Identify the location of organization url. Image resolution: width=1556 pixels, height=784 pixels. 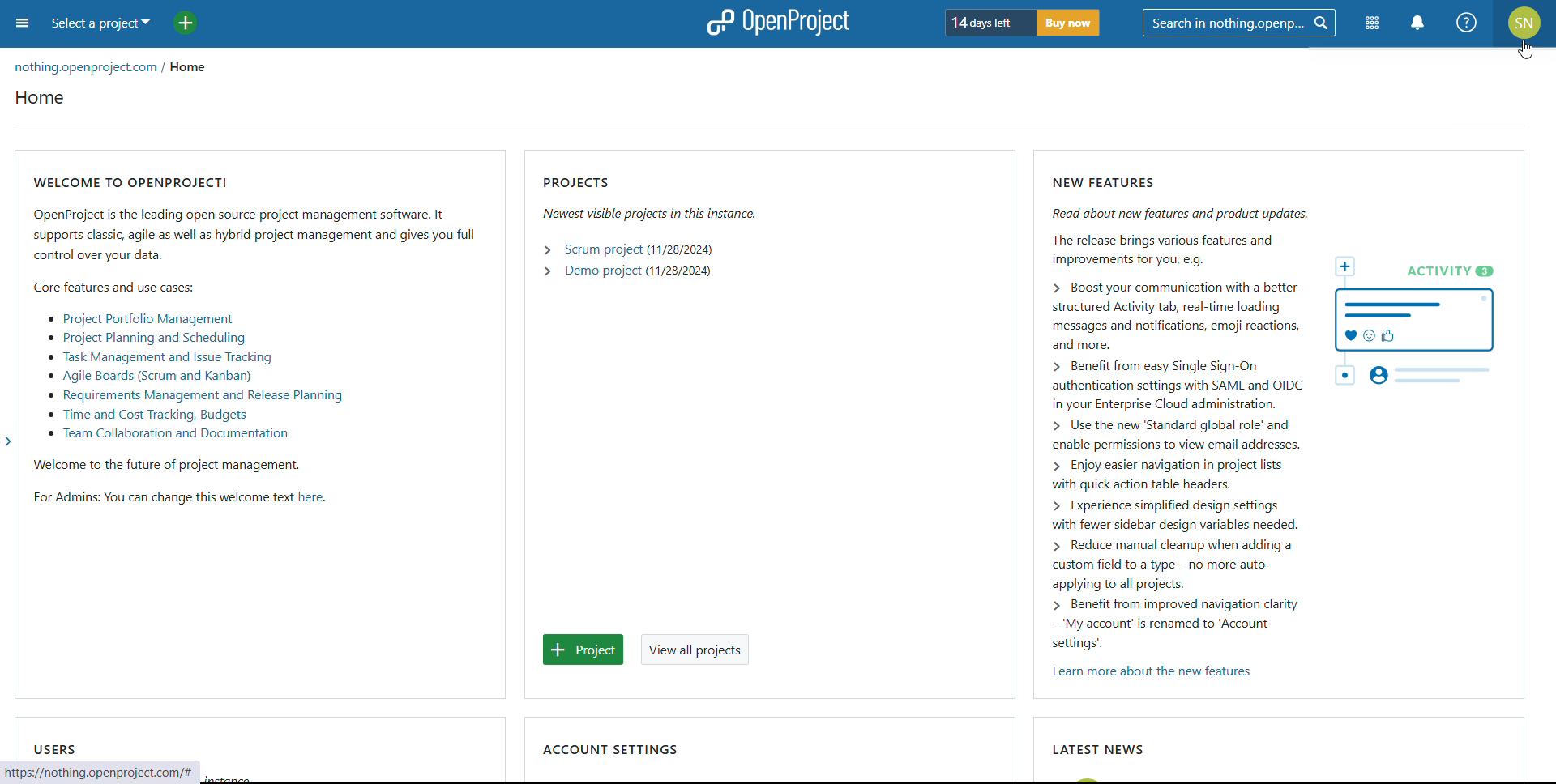
(88, 69).